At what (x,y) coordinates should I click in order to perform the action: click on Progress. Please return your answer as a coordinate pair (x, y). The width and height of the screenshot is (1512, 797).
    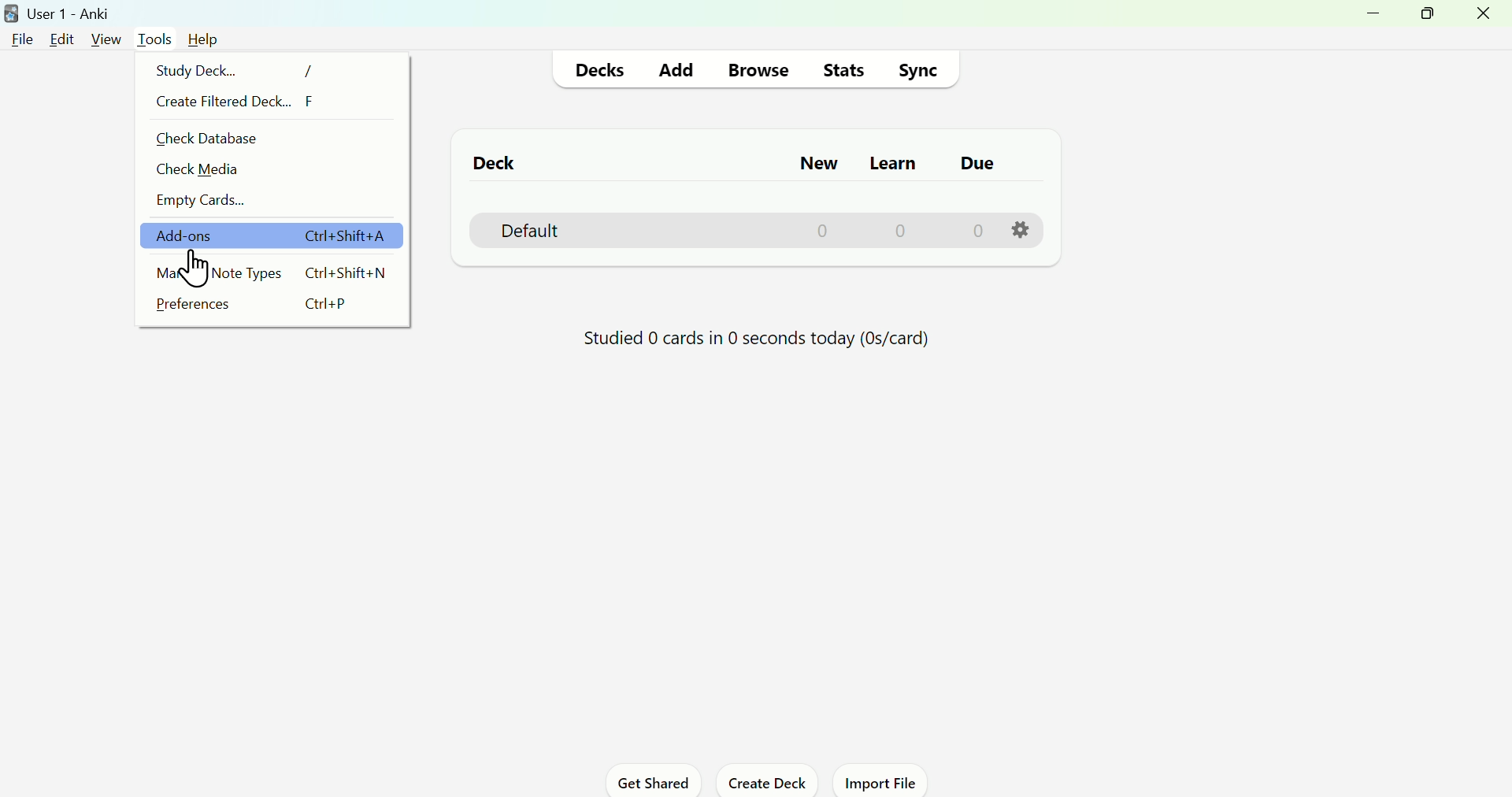
    Looking at the image, I should click on (748, 338).